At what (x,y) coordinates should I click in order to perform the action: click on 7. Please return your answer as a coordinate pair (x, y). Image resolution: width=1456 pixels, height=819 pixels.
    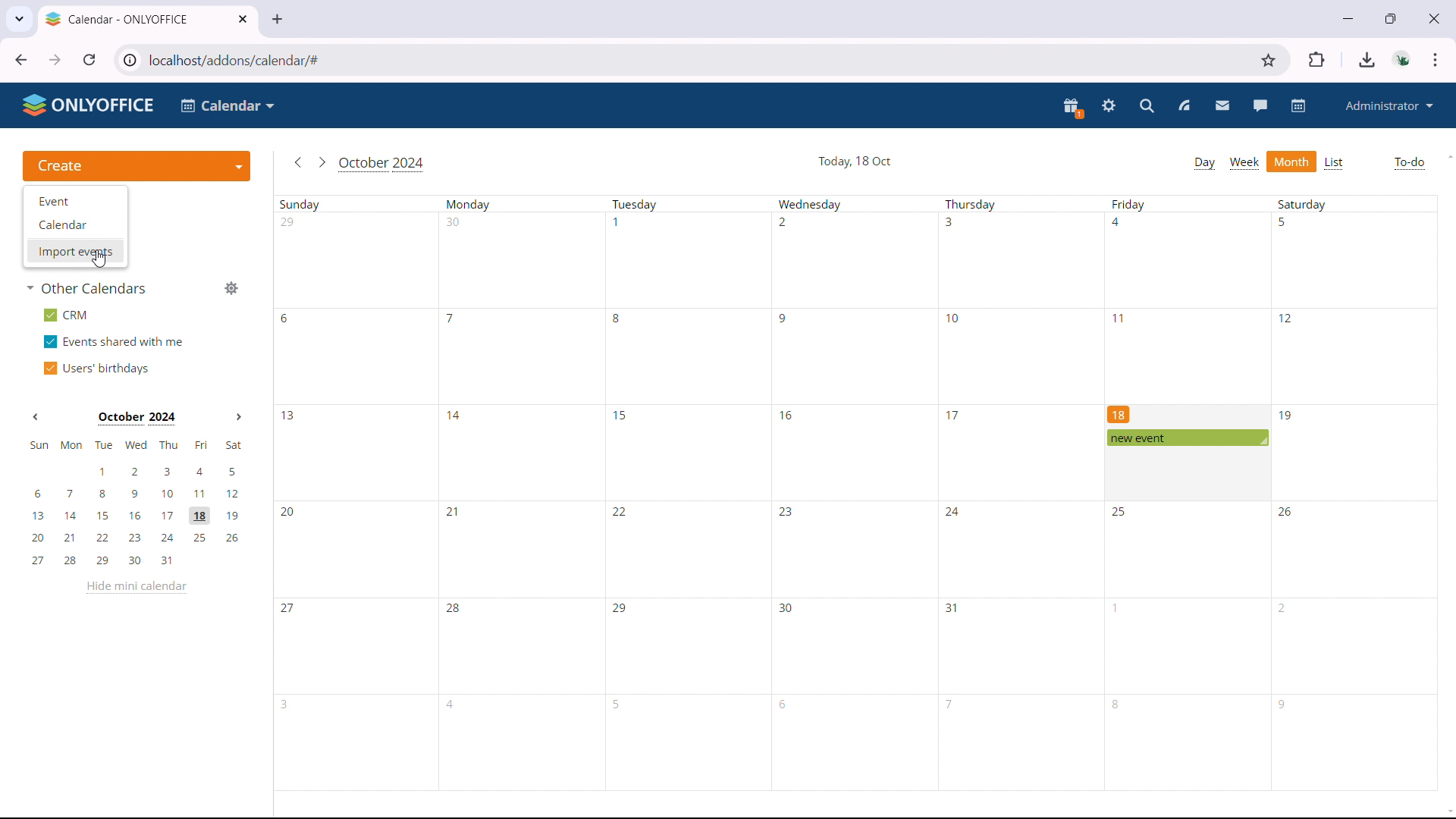
    Looking at the image, I should click on (950, 703).